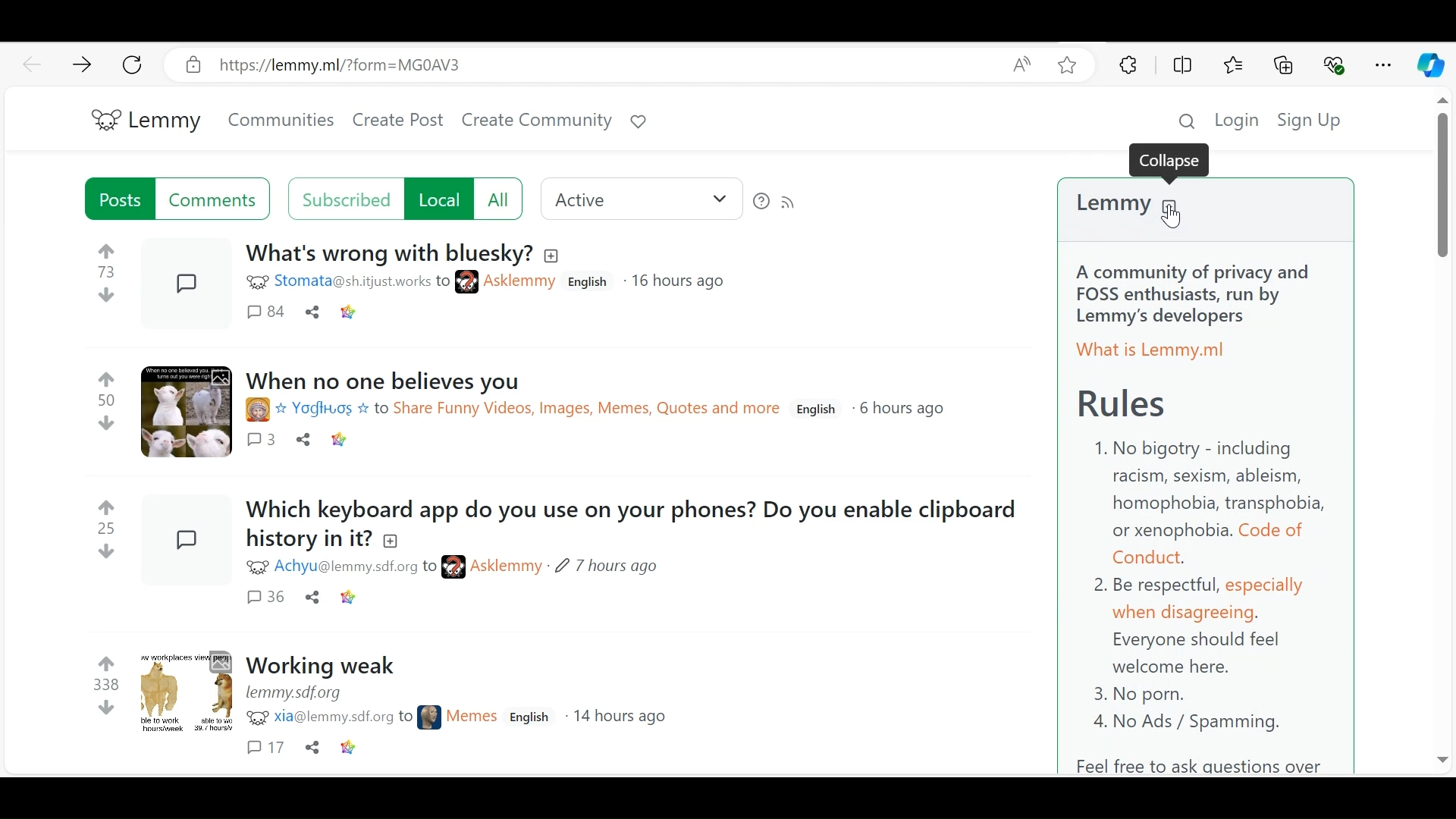 This screenshot has height=819, width=1456. What do you see at coordinates (394, 381) in the screenshot?
I see `Title` at bounding box center [394, 381].